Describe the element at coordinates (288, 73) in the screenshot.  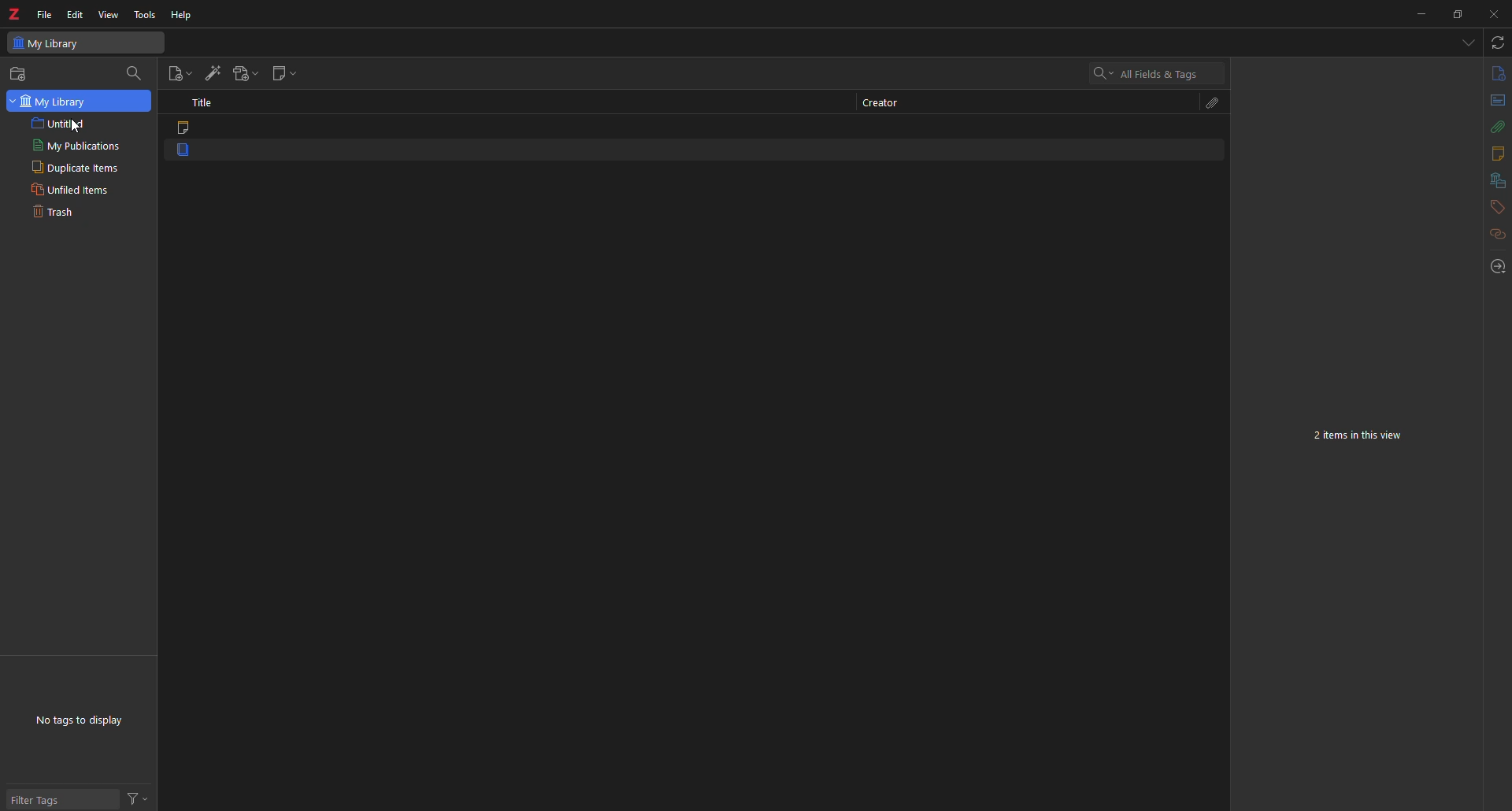
I see `new note` at that location.